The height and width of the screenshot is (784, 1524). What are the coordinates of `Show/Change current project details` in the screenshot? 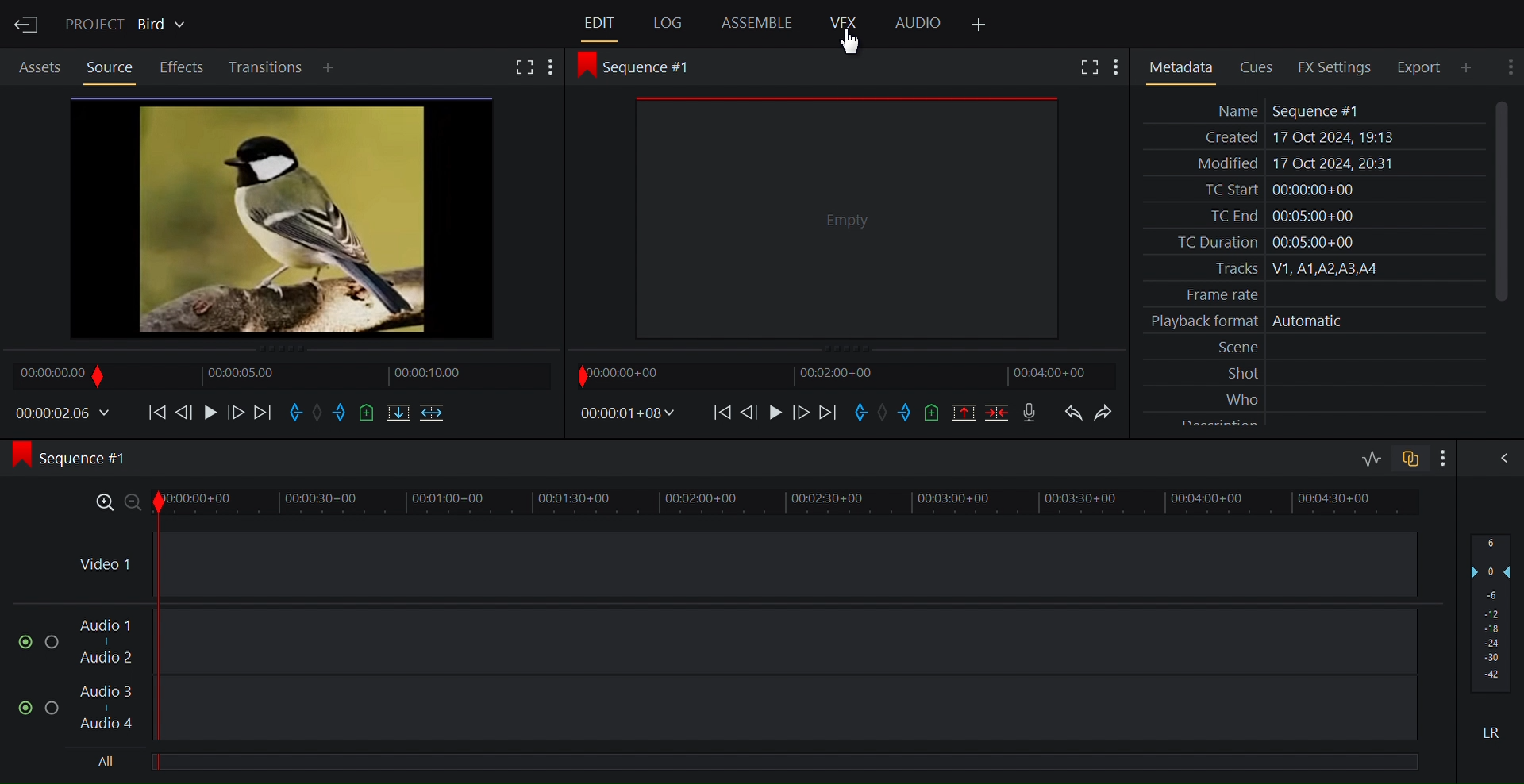 It's located at (128, 22).